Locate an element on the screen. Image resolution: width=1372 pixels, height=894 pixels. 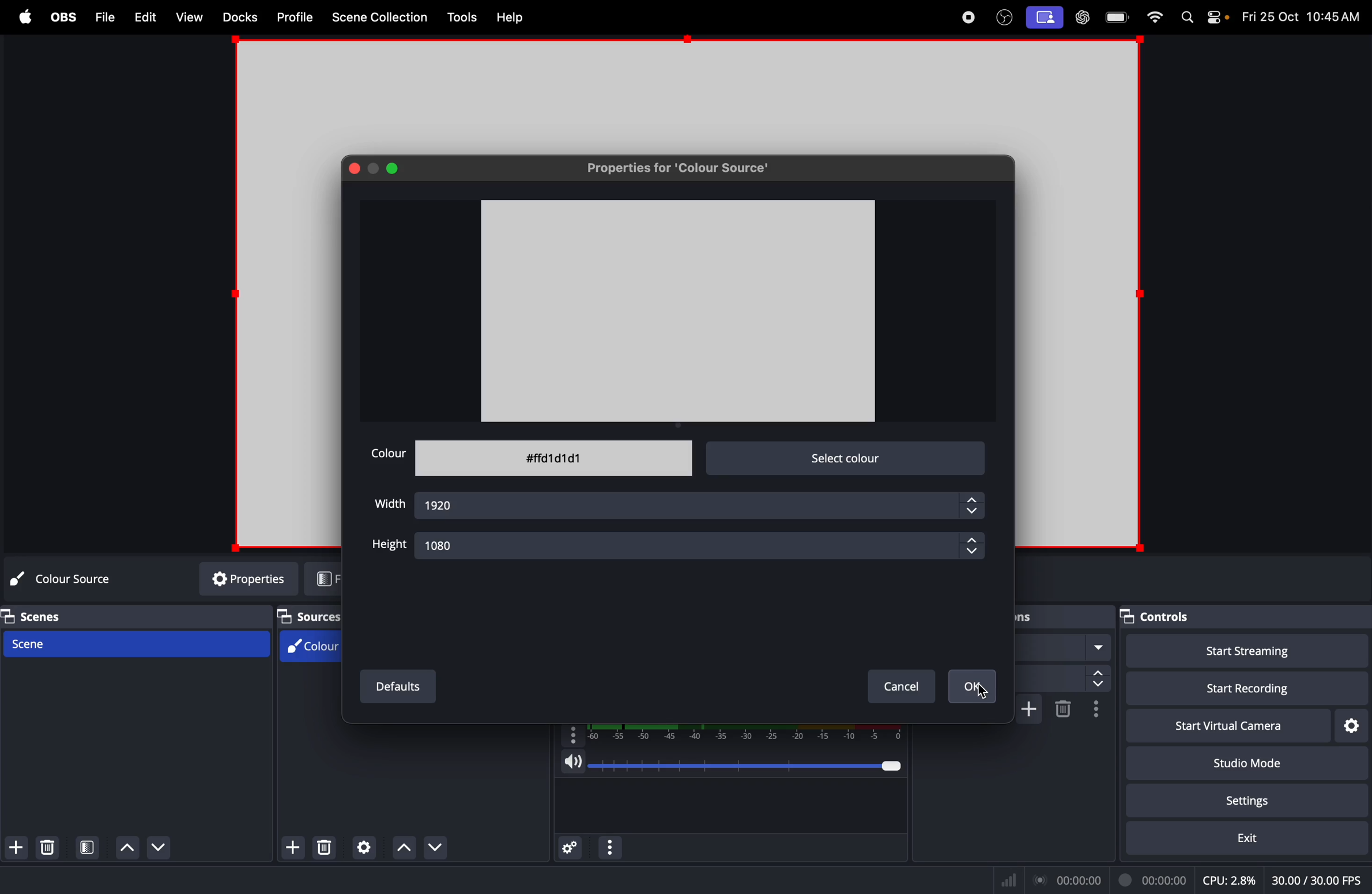
okay is located at coordinates (974, 687).